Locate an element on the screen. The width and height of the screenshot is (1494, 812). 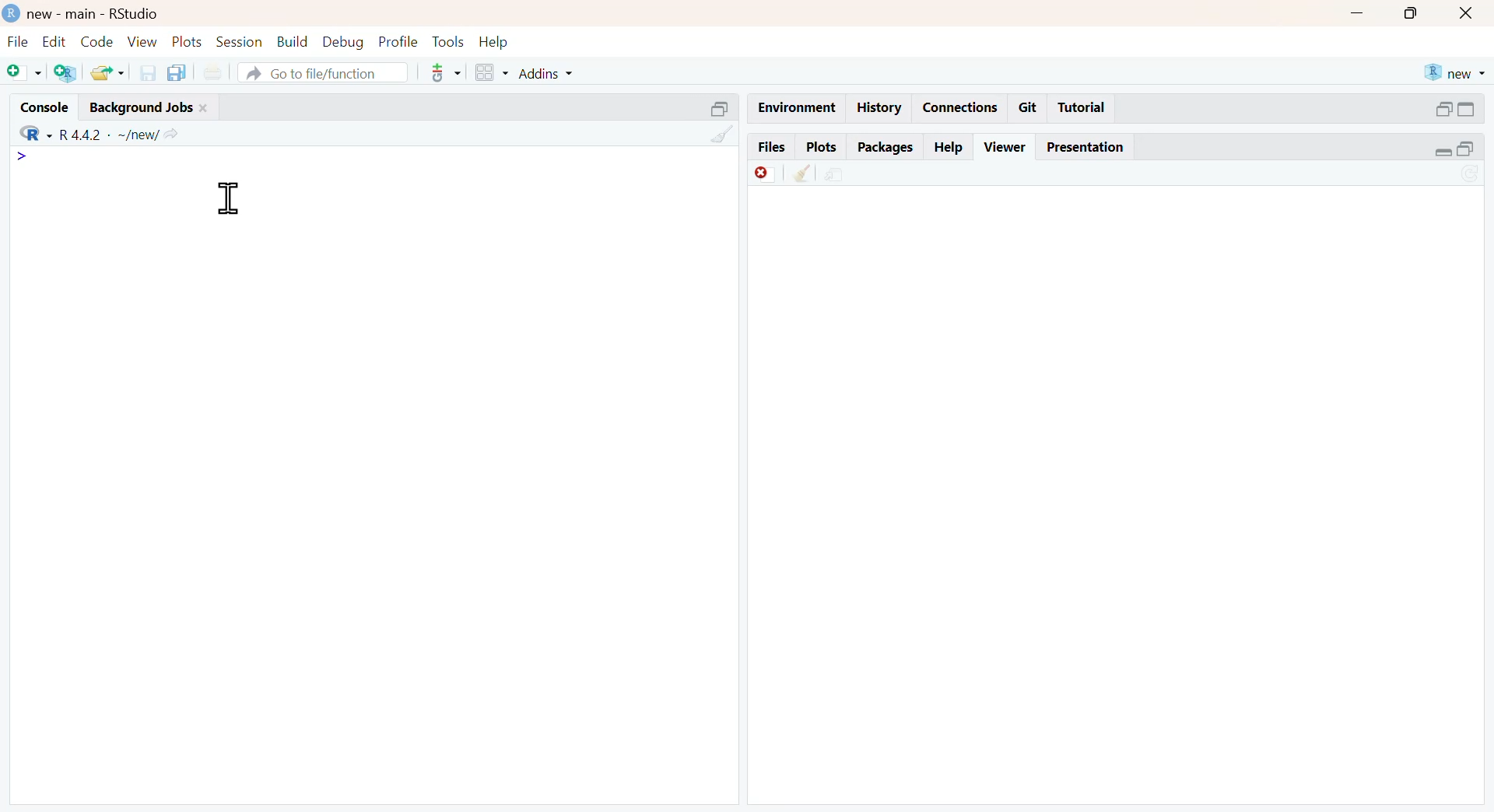
connections is located at coordinates (962, 108).